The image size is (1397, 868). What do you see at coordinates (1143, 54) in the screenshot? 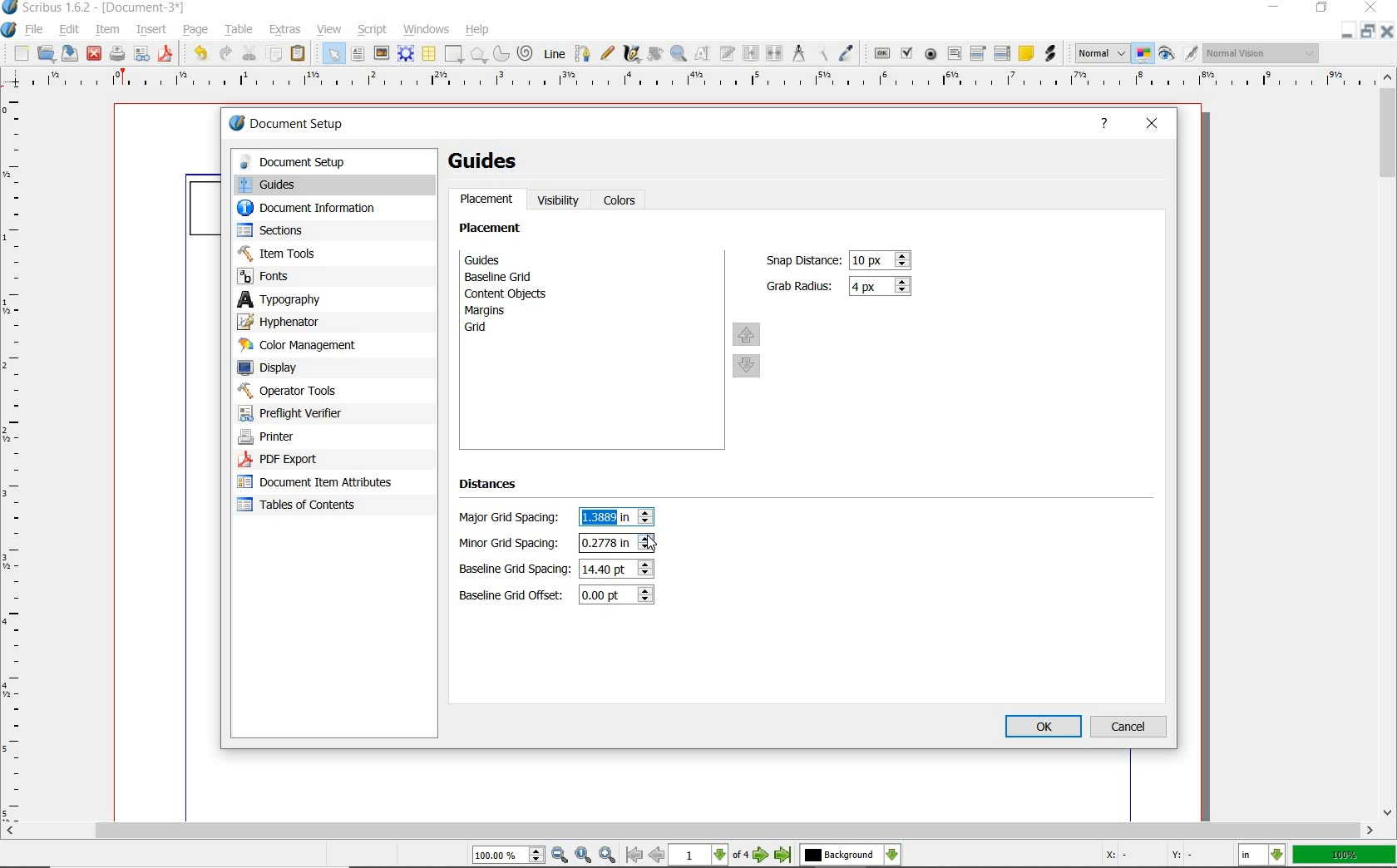
I see `toggle color management` at bounding box center [1143, 54].